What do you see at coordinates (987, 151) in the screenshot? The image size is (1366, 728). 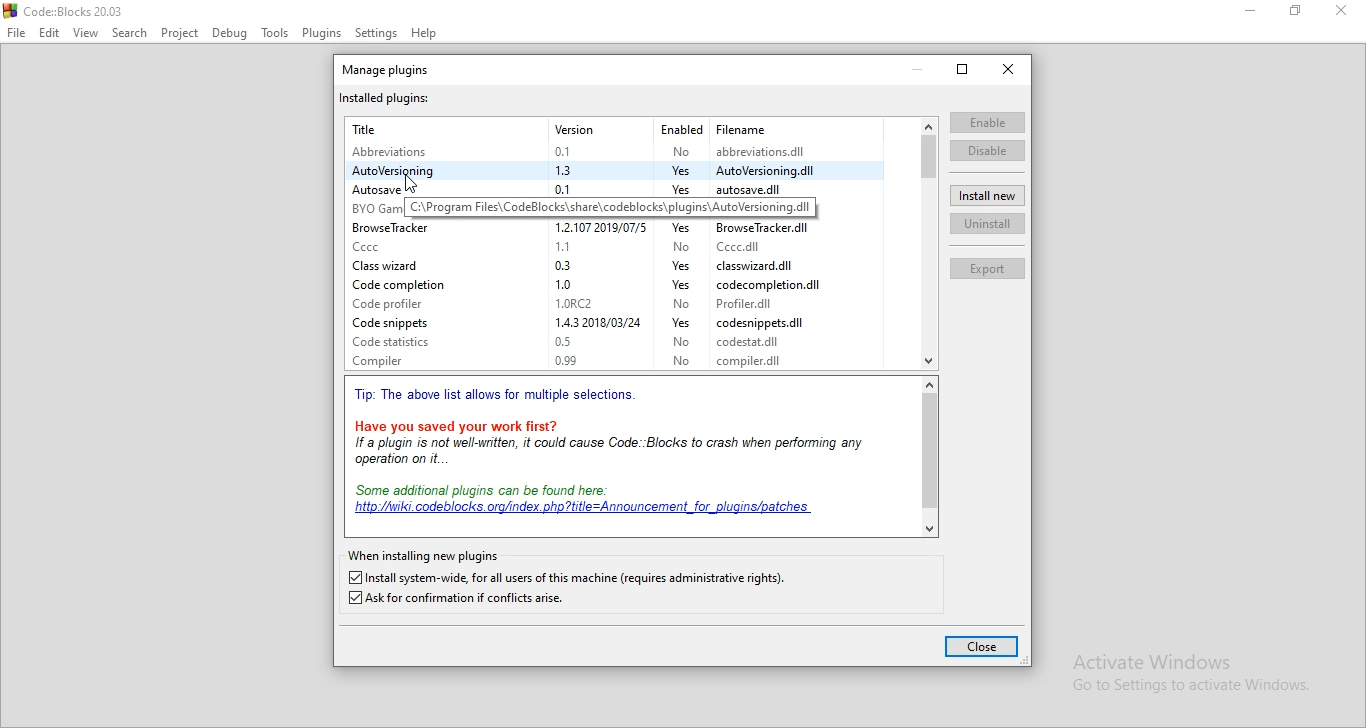 I see `disable` at bounding box center [987, 151].